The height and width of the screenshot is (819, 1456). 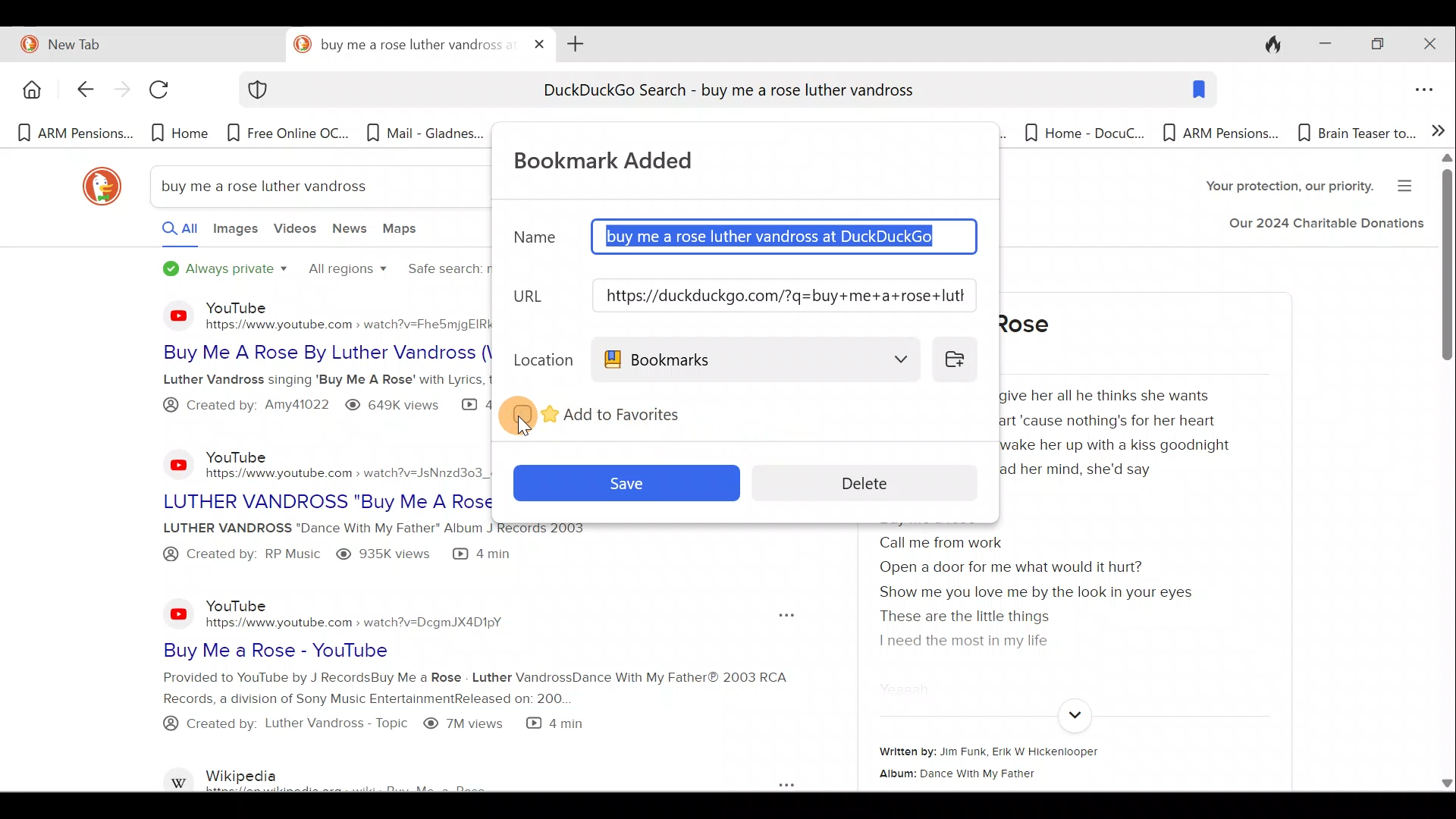 What do you see at coordinates (1410, 184) in the screenshot?
I see `Menu` at bounding box center [1410, 184].